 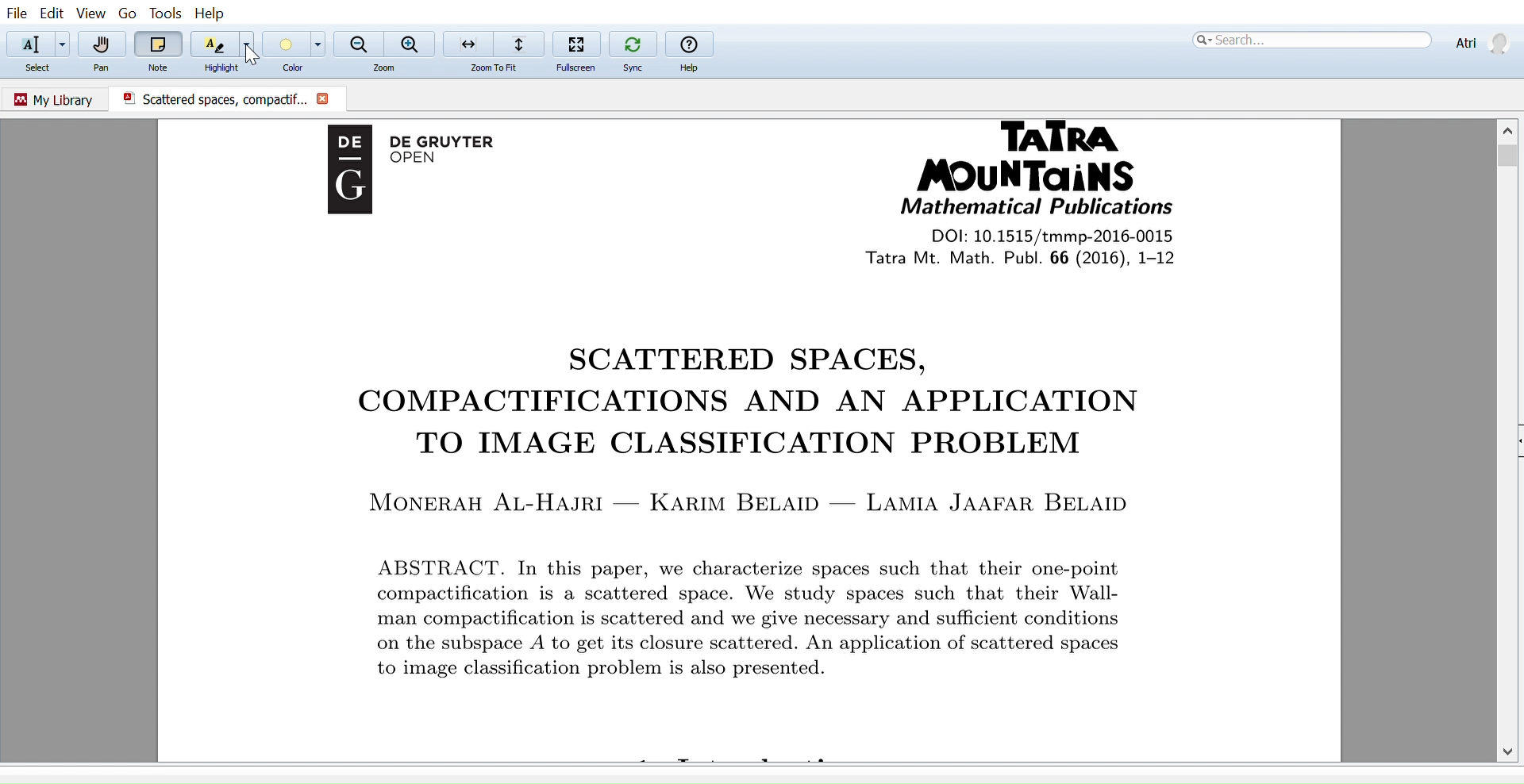 What do you see at coordinates (222, 67) in the screenshot?
I see `Highlight` at bounding box center [222, 67].